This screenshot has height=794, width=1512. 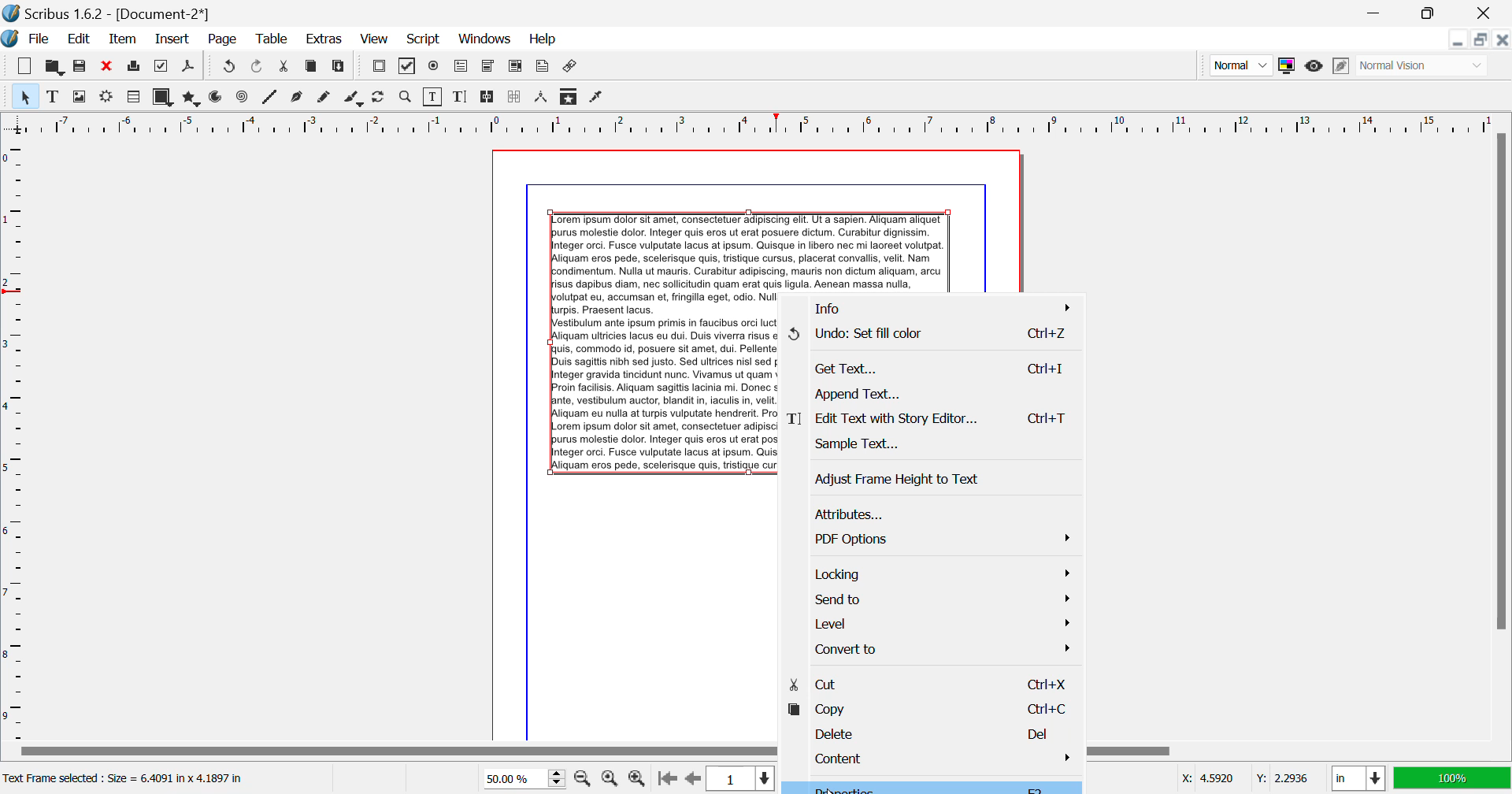 What do you see at coordinates (1378, 13) in the screenshot?
I see `Restore Down` at bounding box center [1378, 13].